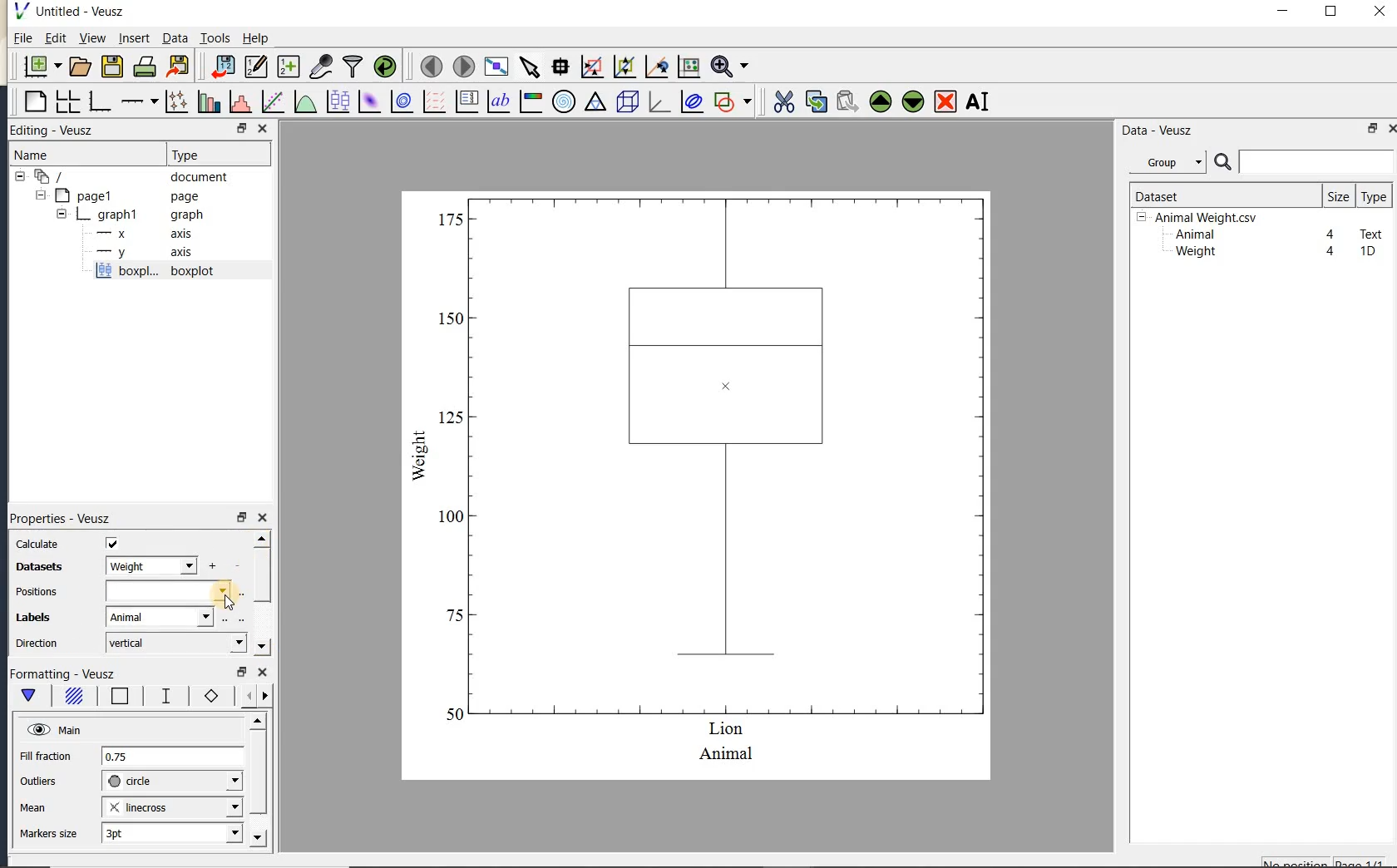 This screenshot has height=868, width=1397. What do you see at coordinates (1331, 252) in the screenshot?
I see `4` at bounding box center [1331, 252].